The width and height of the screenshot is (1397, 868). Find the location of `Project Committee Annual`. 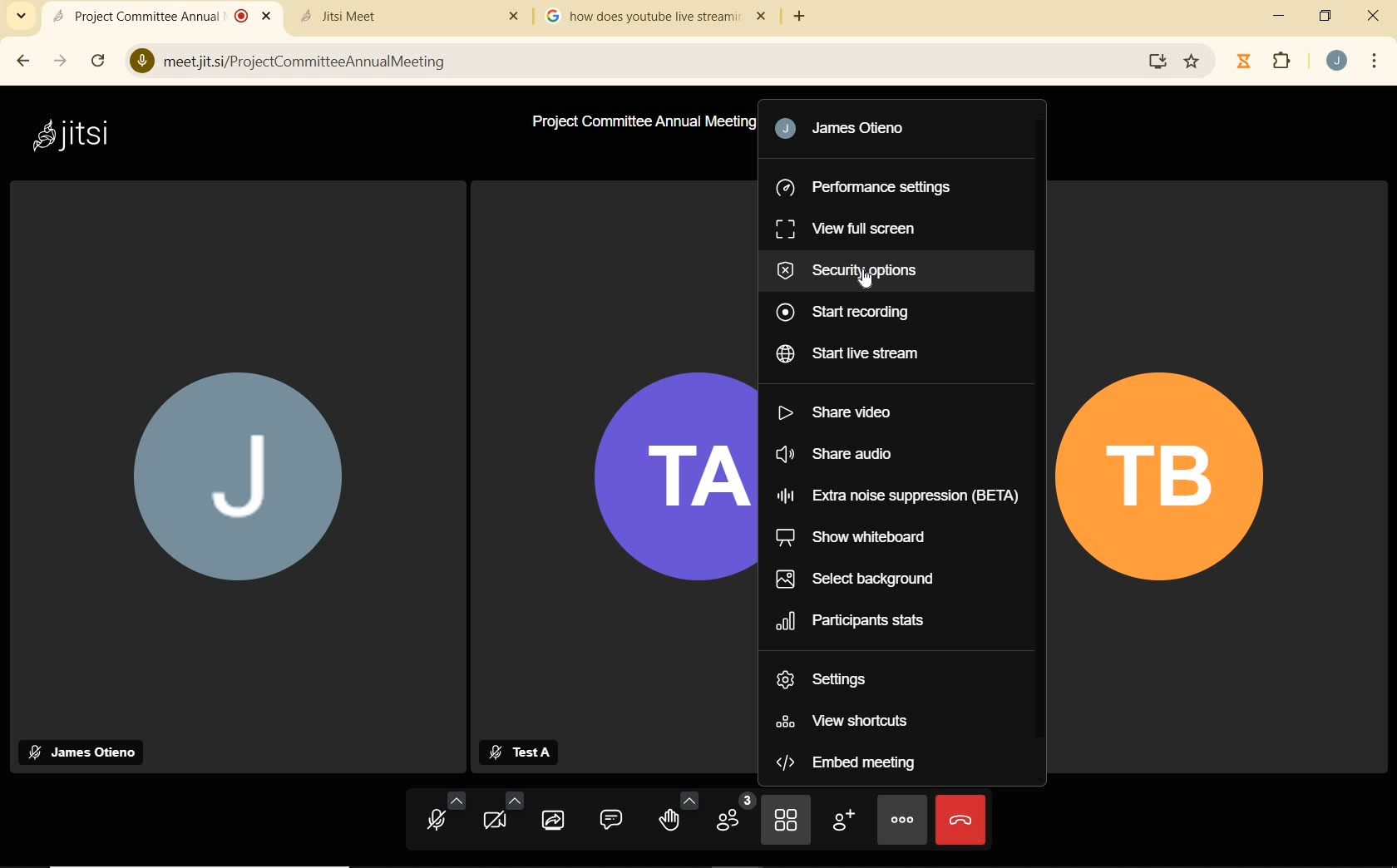

Project Committee Annual is located at coordinates (161, 16).